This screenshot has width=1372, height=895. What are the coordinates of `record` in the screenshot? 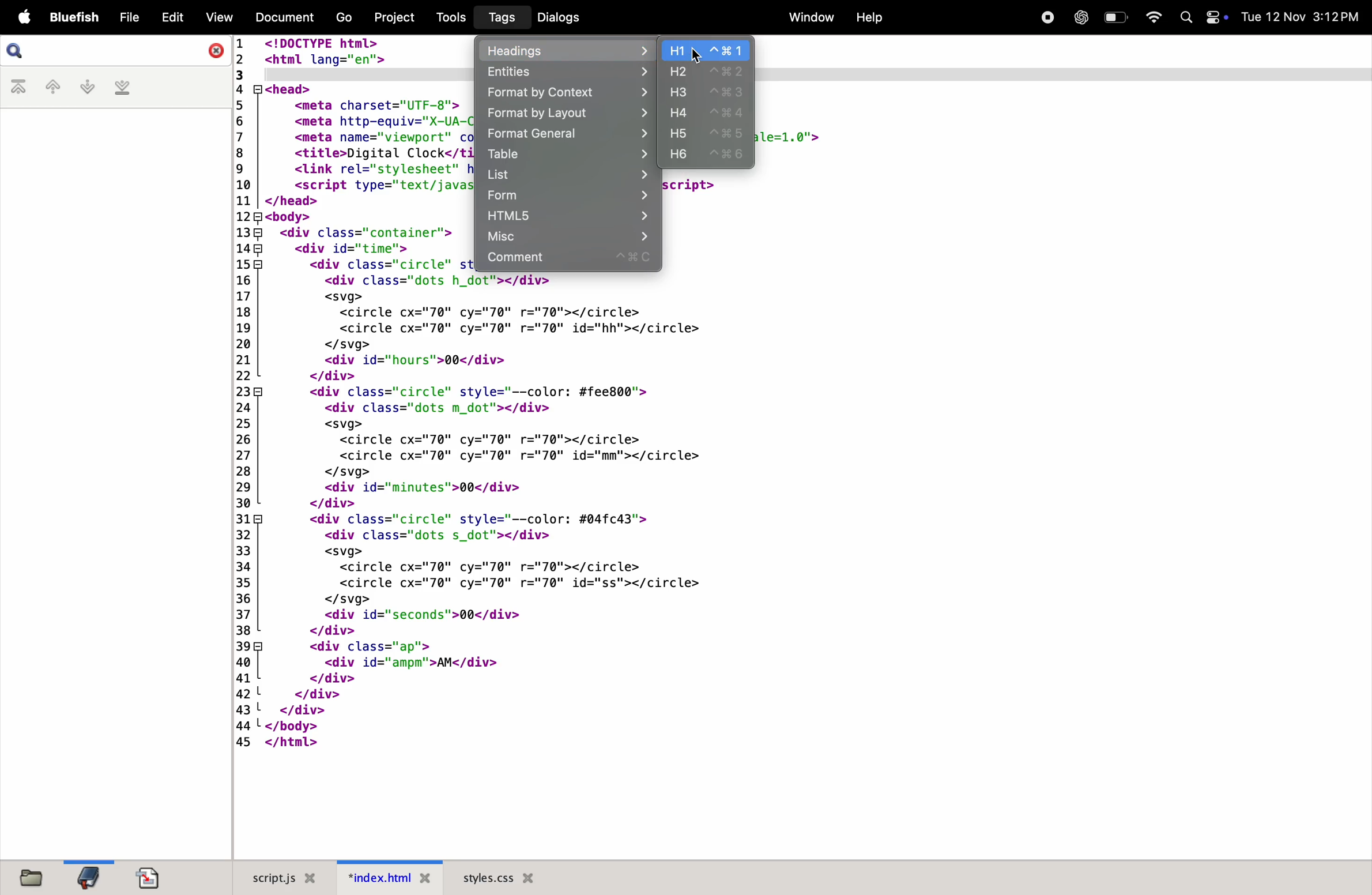 It's located at (1045, 16).